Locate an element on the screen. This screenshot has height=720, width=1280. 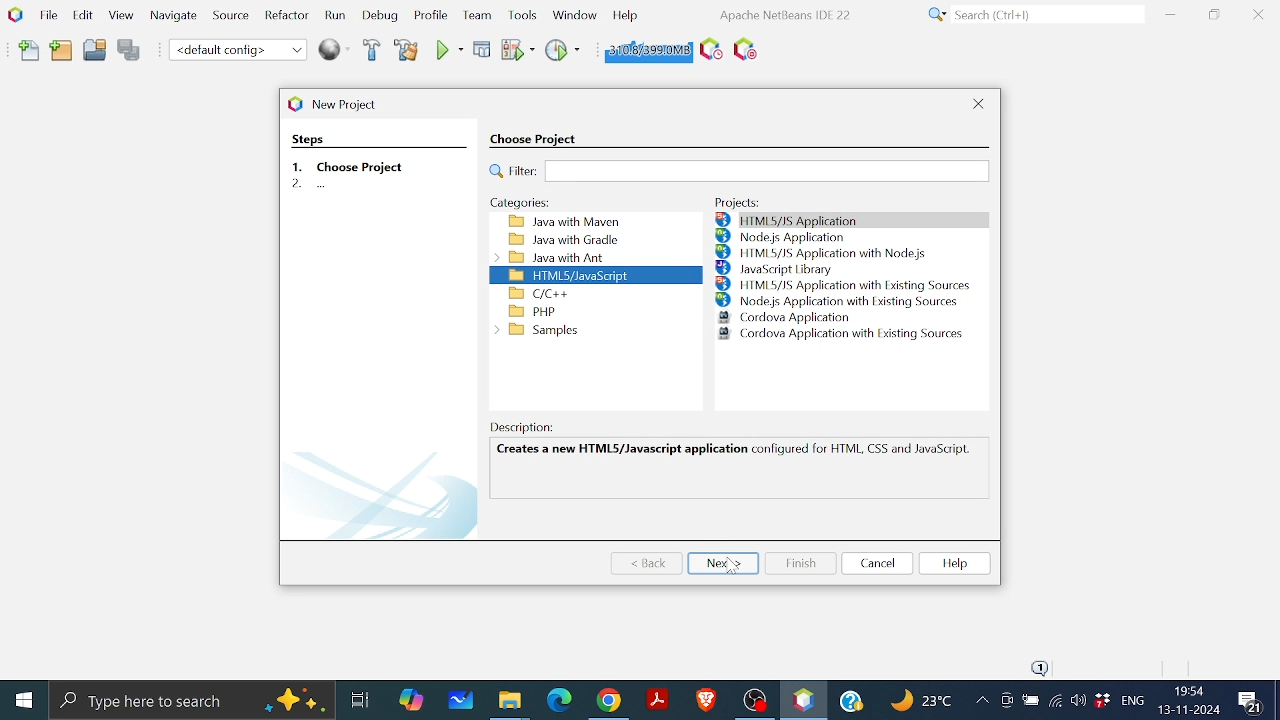
Minimize is located at coordinates (1170, 14).